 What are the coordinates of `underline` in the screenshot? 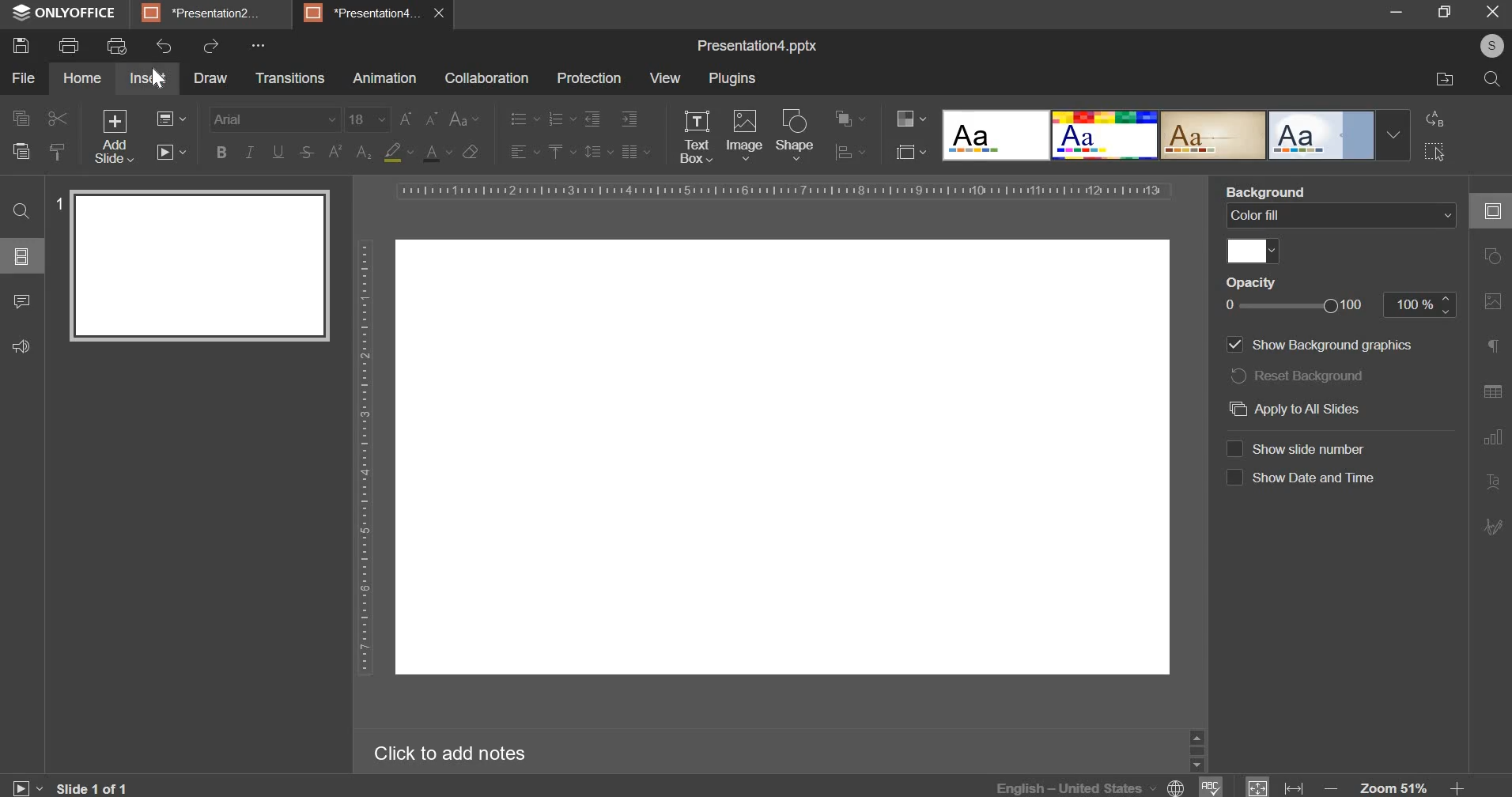 It's located at (276, 153).